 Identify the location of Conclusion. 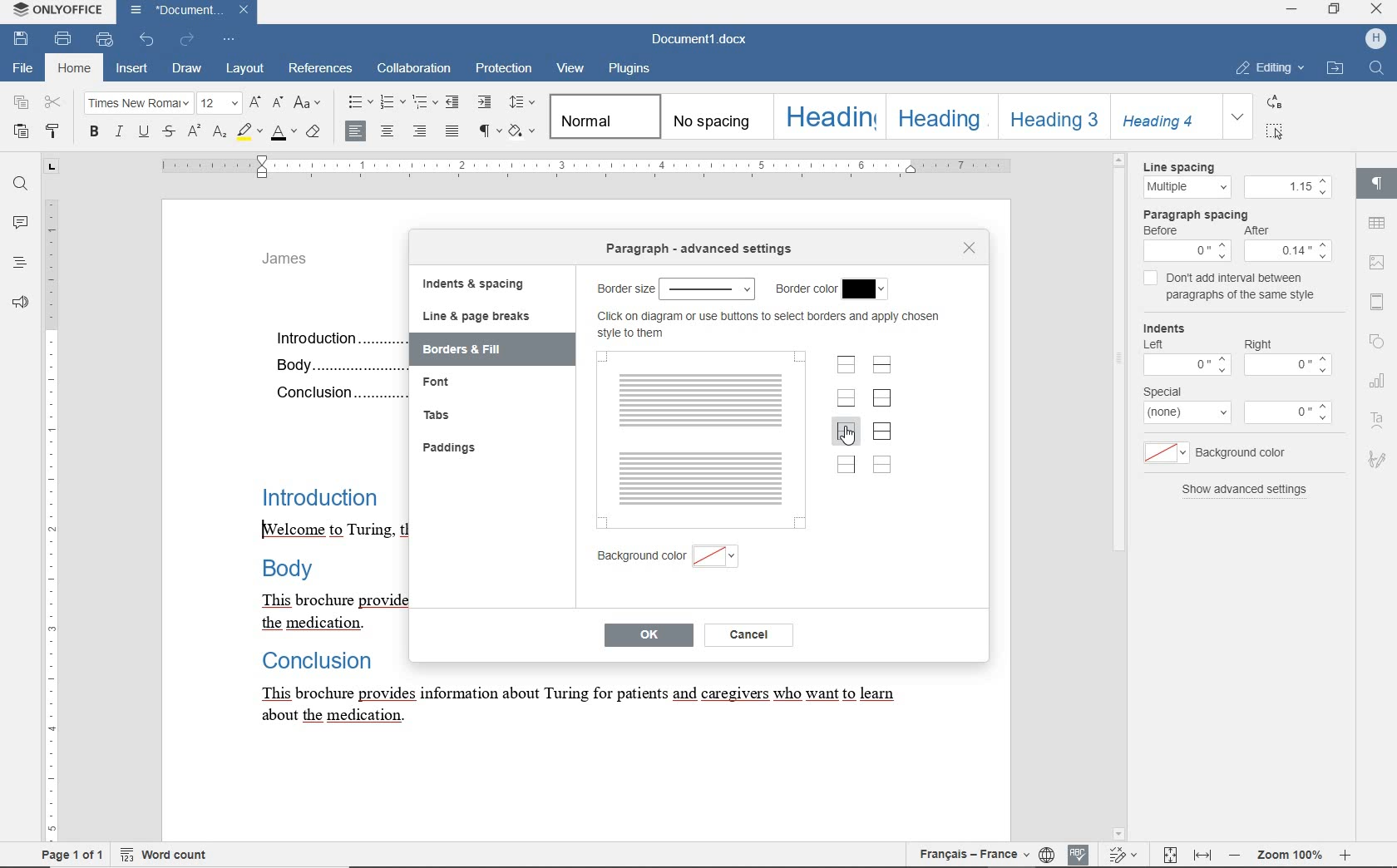
(337, 393).